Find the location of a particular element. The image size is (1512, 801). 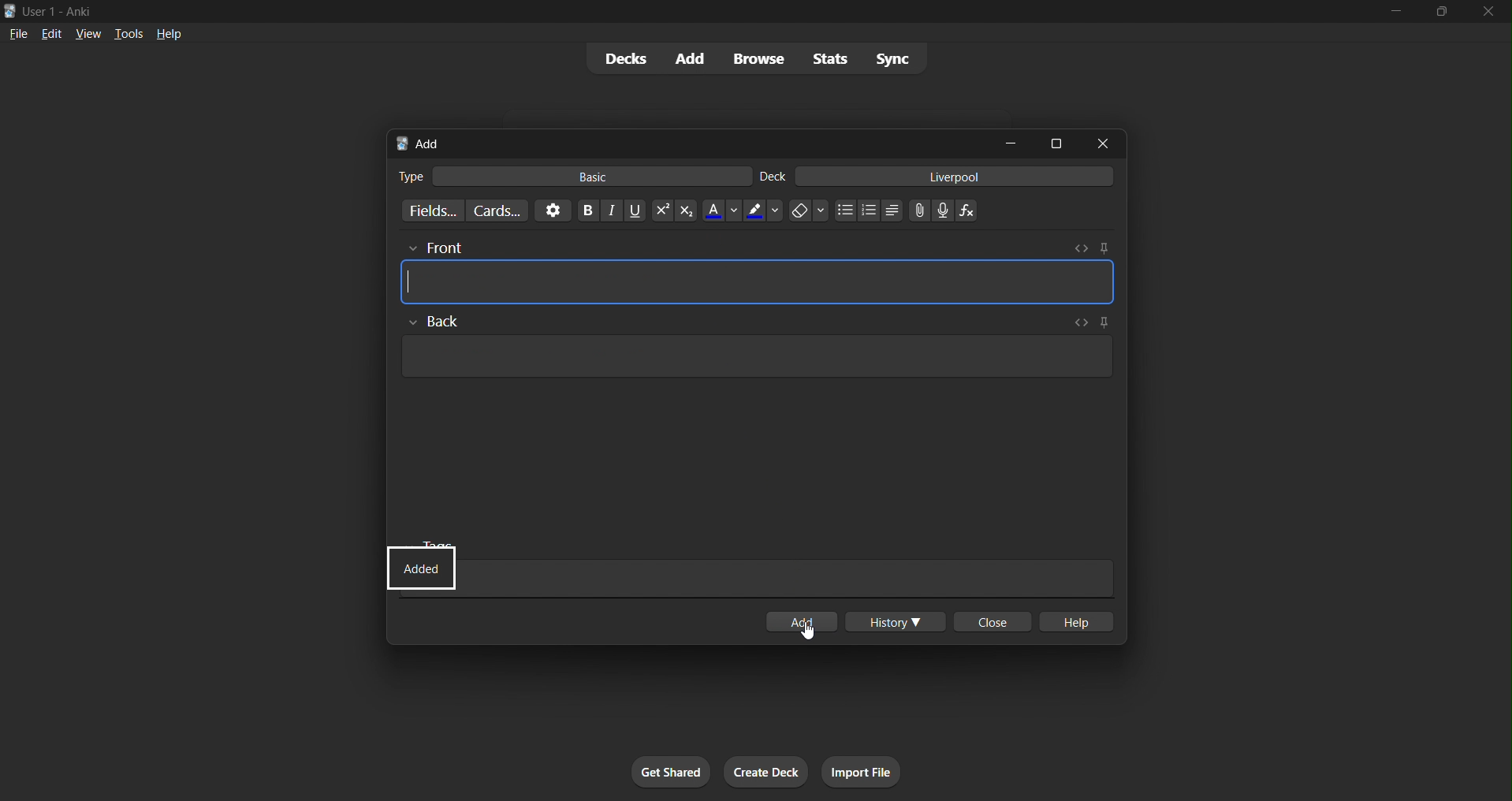

minimize is located at coordinates (1004, 142).